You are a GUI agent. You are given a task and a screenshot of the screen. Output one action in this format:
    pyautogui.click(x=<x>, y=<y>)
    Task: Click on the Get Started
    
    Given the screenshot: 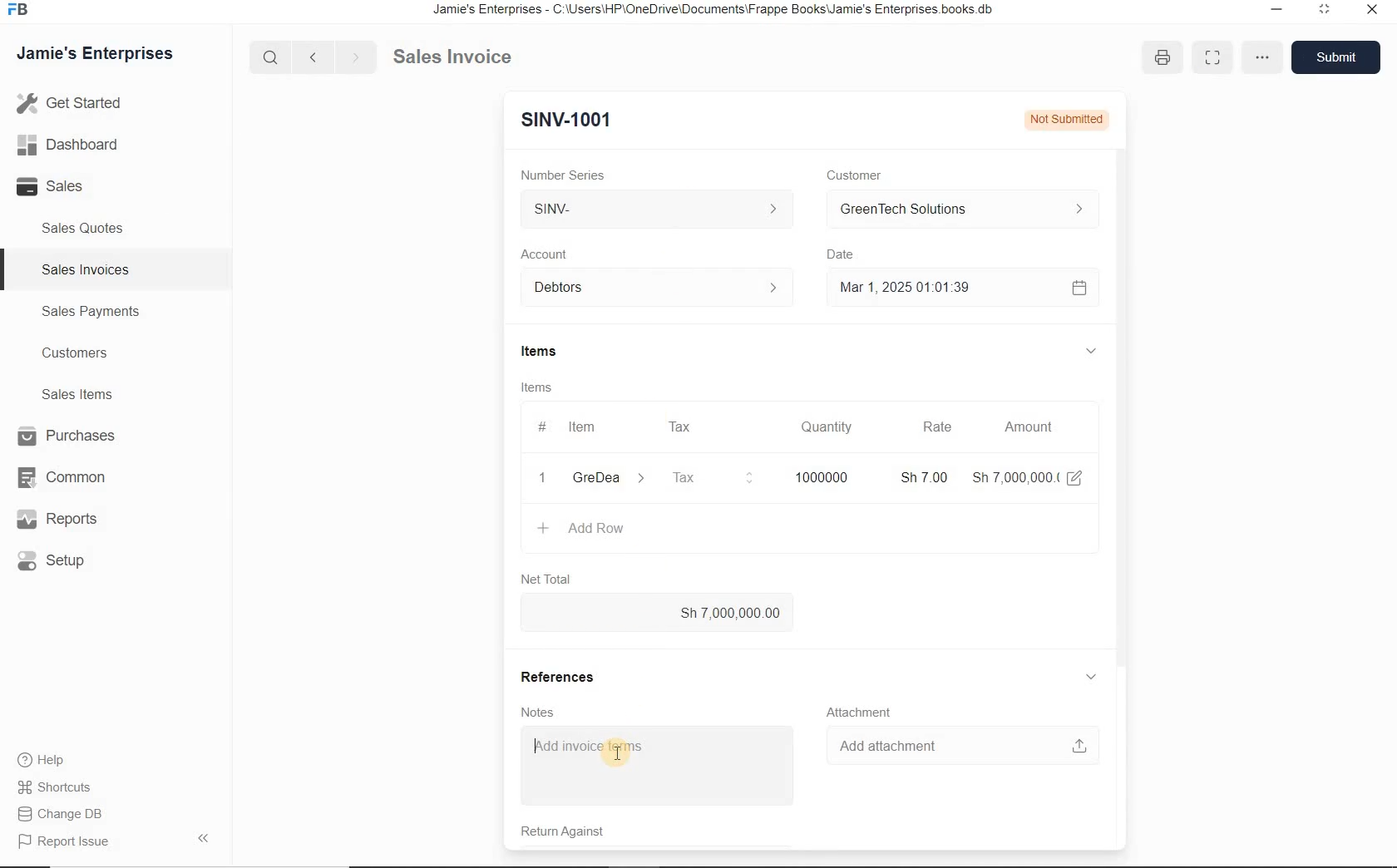 What is the action you would take?
    pyautogui.click(x=70, y=105)
    